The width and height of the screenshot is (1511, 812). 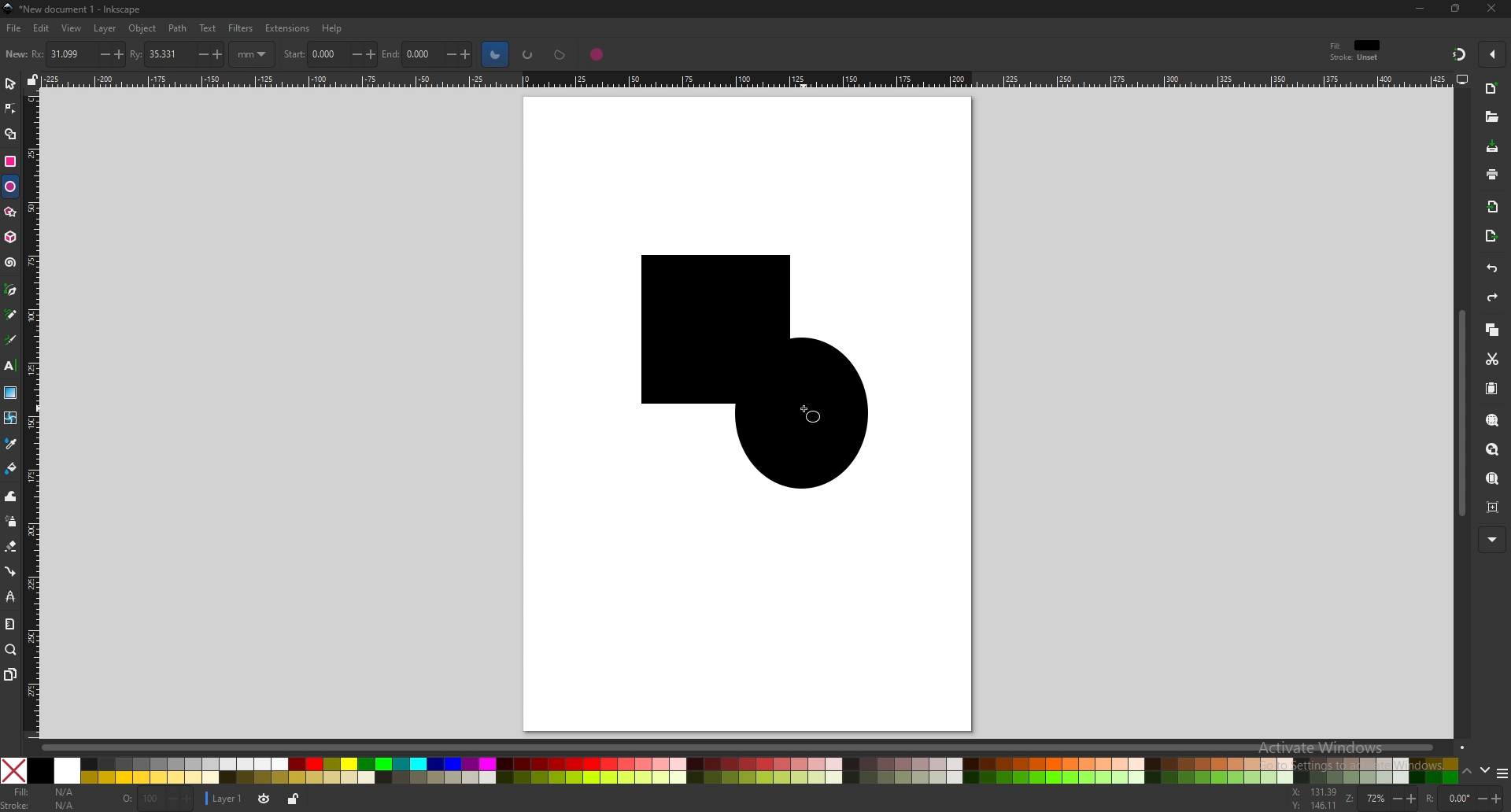 What do you see at coordinates (743, 746) in the screenshot?
I see `scroll bar` at bounding box center [743, 746].